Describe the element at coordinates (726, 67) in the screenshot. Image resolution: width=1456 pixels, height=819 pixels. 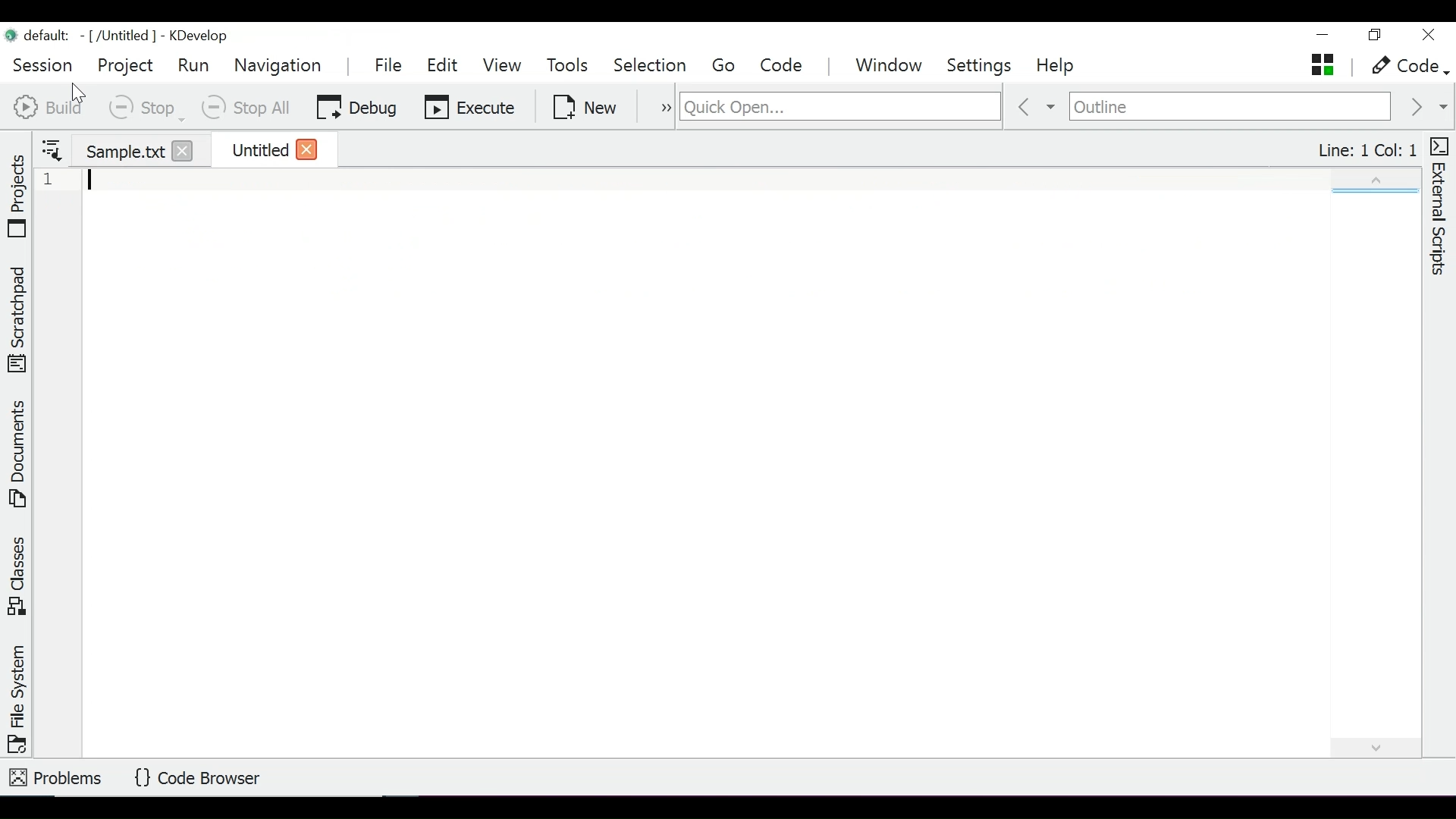
I see `` at that location.